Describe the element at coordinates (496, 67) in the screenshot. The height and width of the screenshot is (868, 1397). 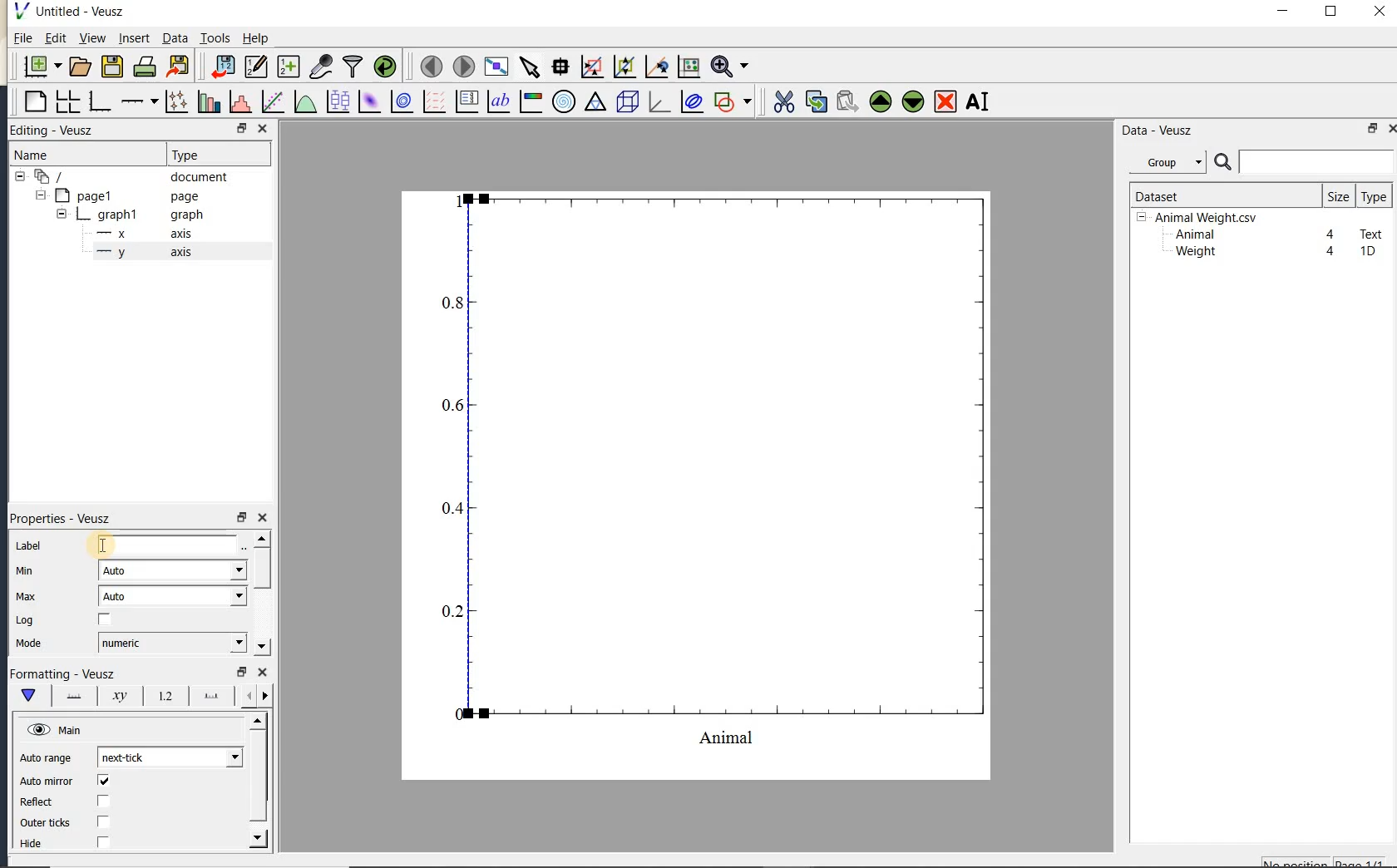
I see `view plot full screen` at that location.